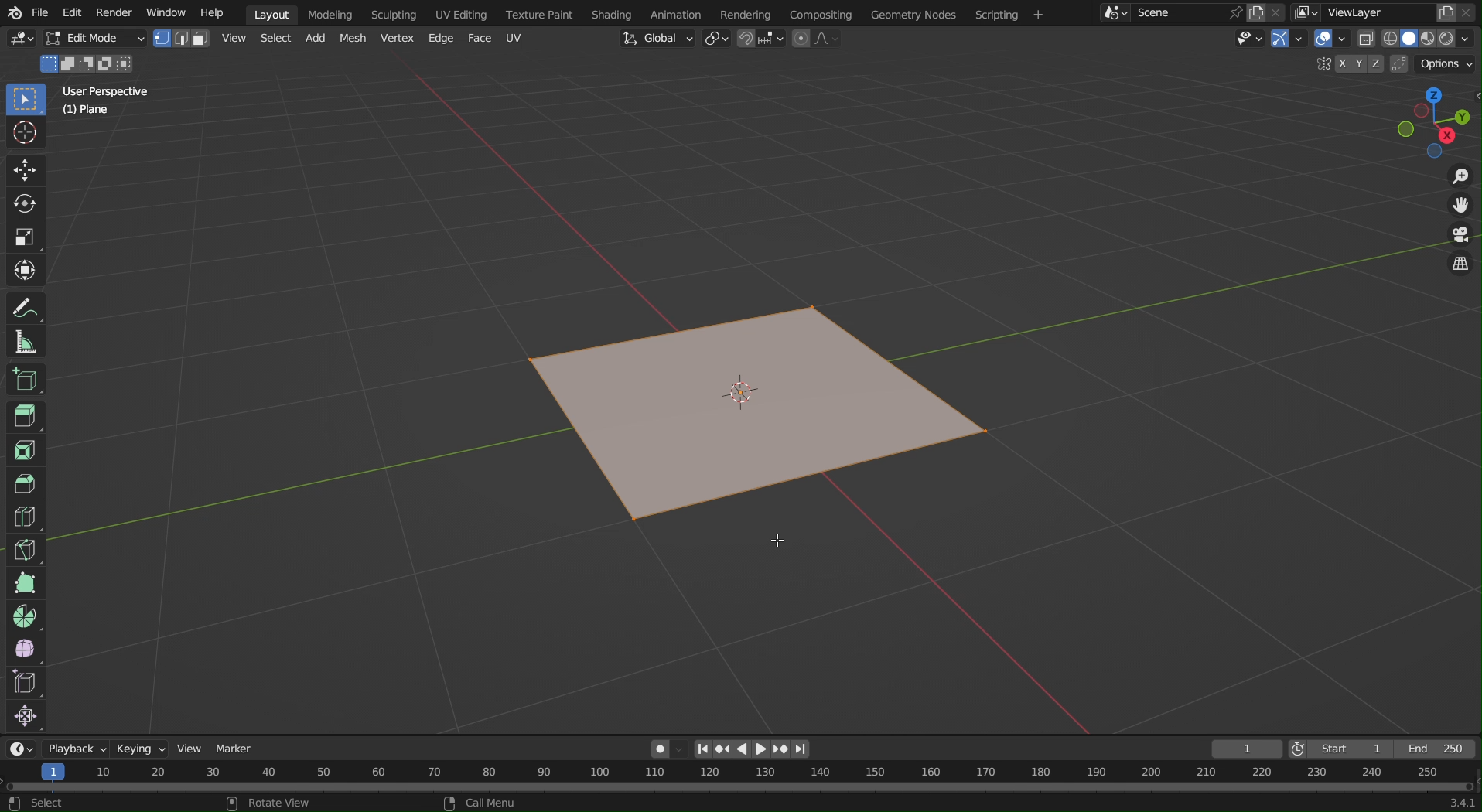 This screenshot has height=812, width=1482. I want to click on Move View, so click(1462, 210).